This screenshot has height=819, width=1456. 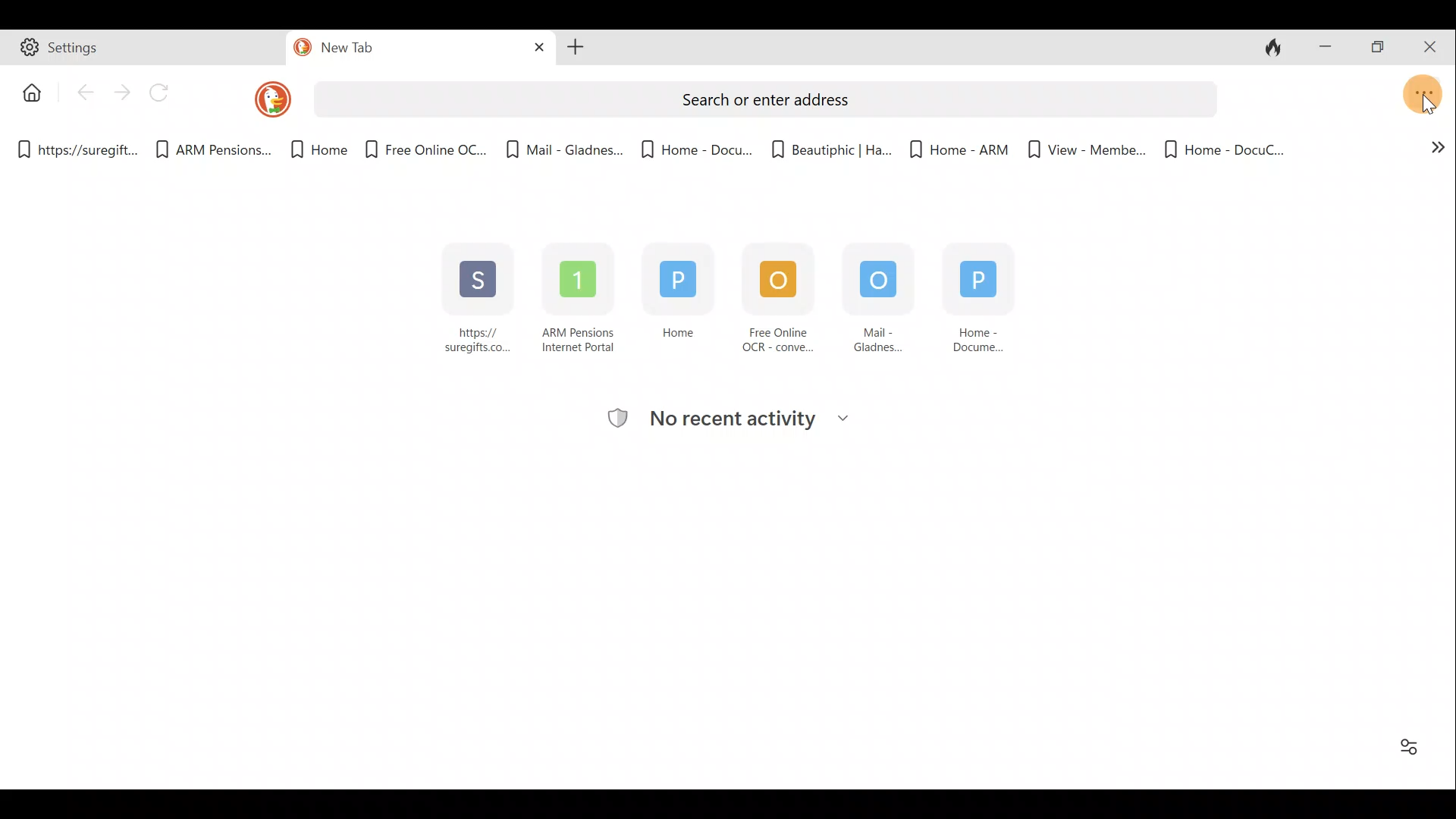 I want to click on duckduck go logo, so click(x=301, y=47).